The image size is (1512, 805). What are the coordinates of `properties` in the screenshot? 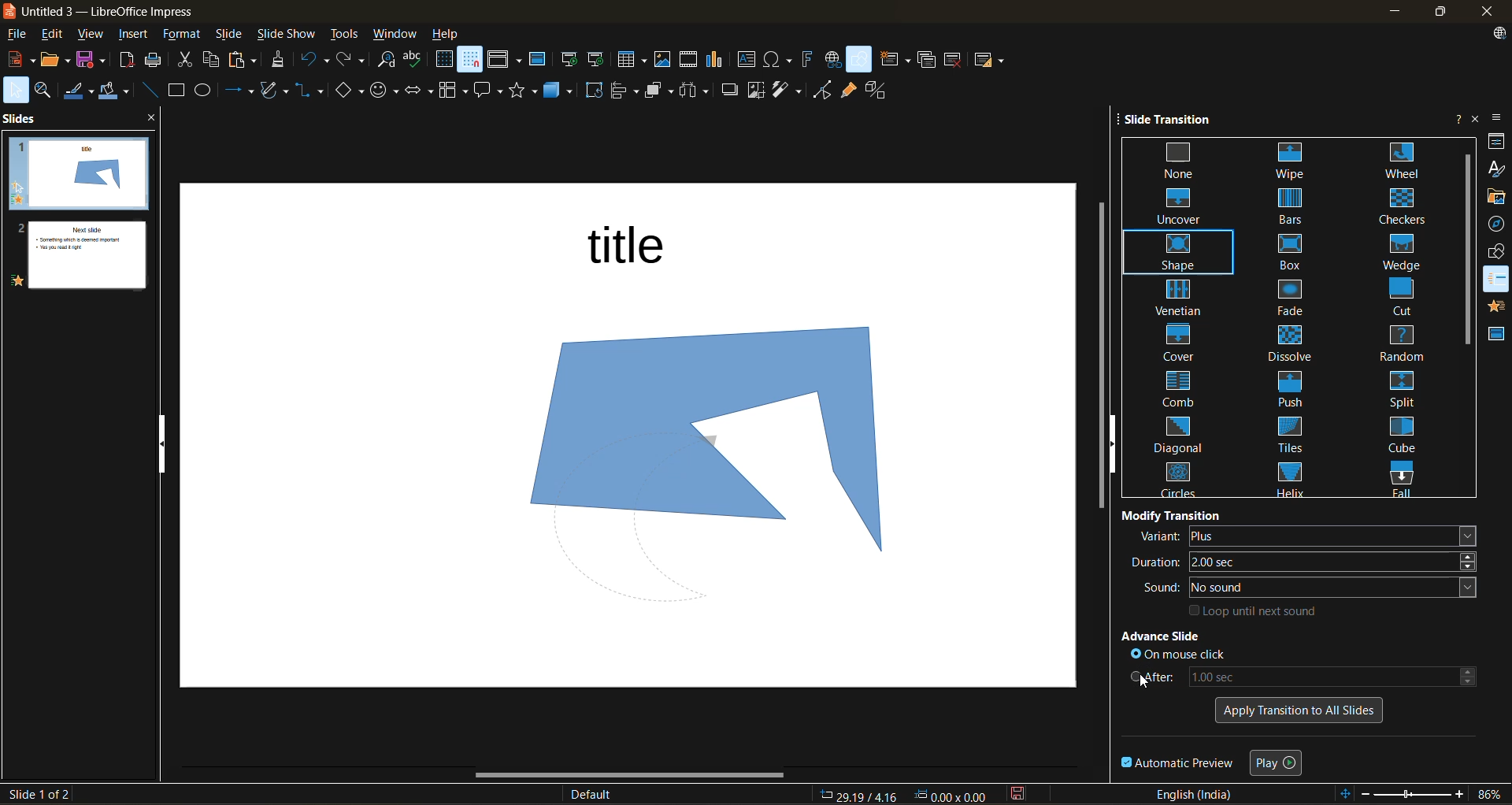 It's located at (1496, 144).